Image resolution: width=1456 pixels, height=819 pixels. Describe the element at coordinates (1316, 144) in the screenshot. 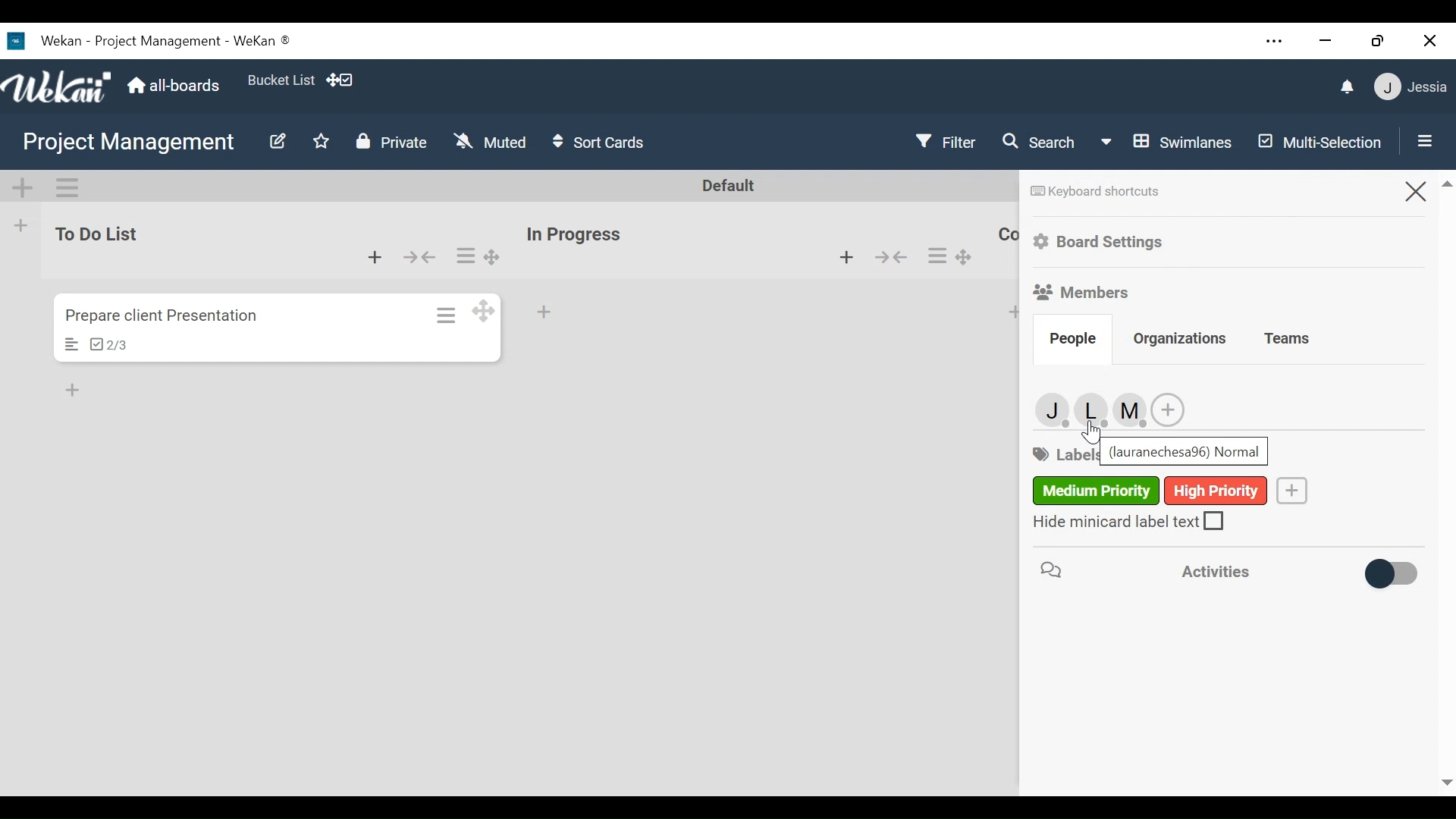

I see `multi selection` at that location.